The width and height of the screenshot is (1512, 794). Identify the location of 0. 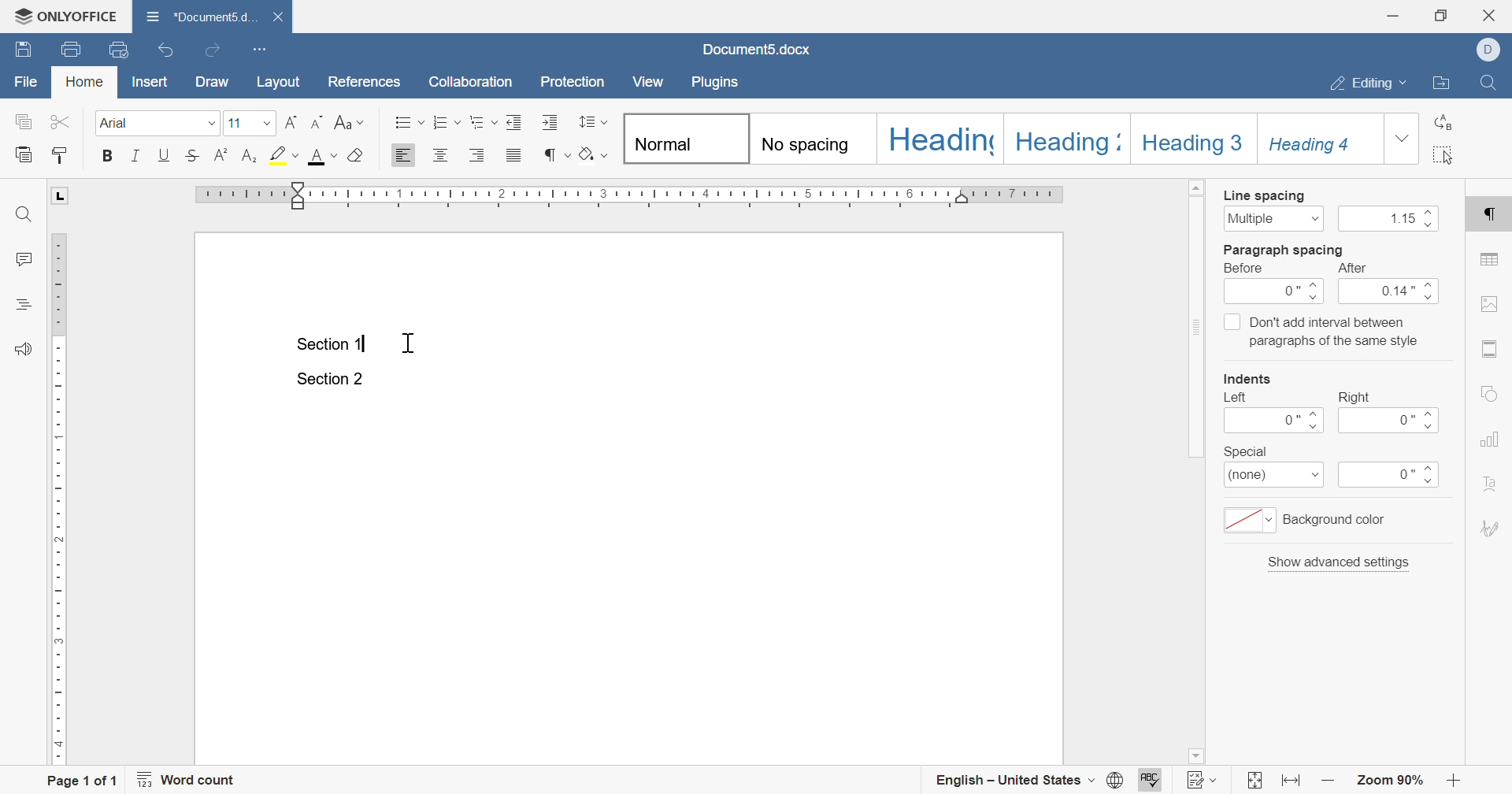
(1392, 421).